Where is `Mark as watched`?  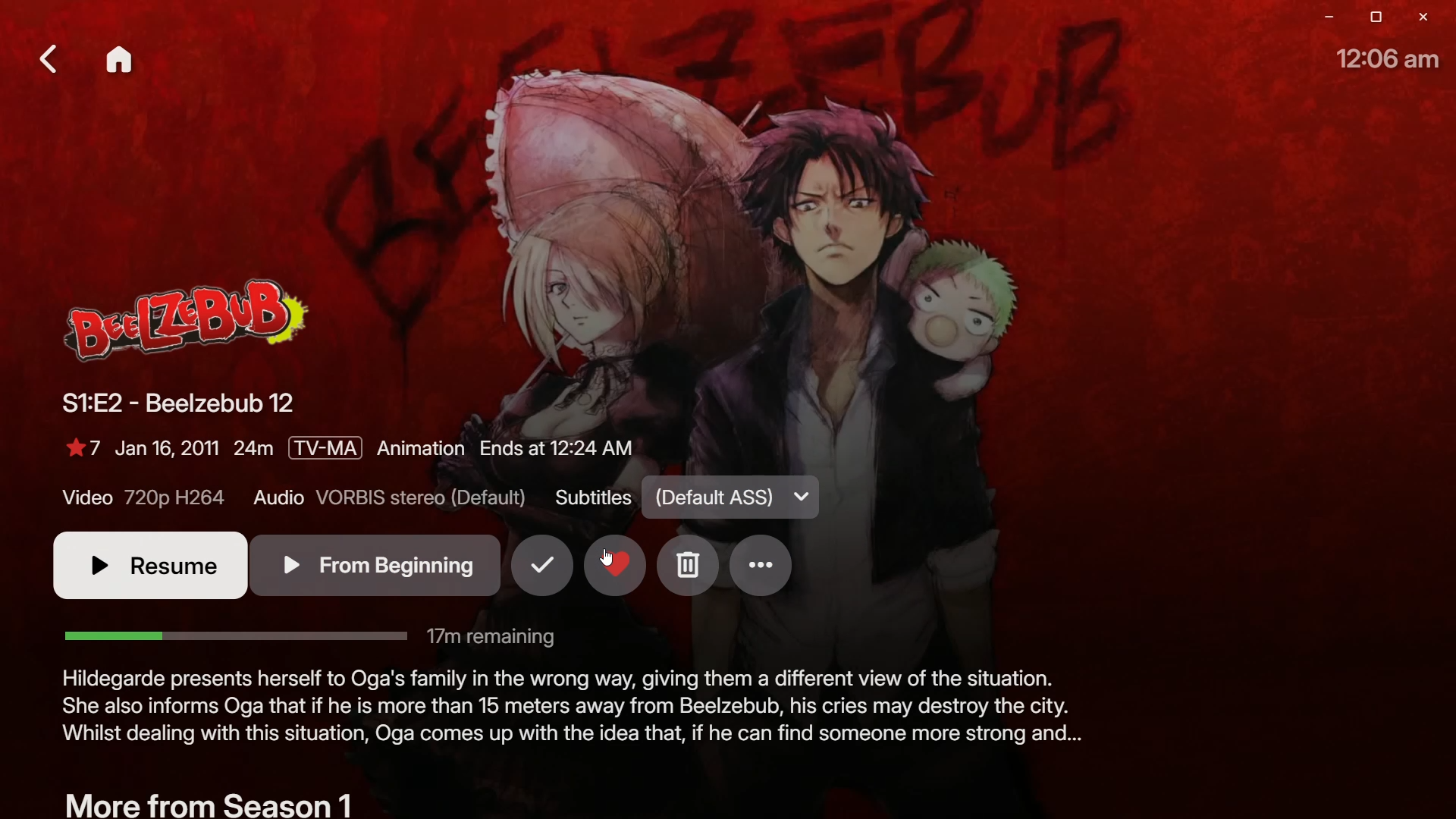 Mark as watched is located at coordinates (540, 572).